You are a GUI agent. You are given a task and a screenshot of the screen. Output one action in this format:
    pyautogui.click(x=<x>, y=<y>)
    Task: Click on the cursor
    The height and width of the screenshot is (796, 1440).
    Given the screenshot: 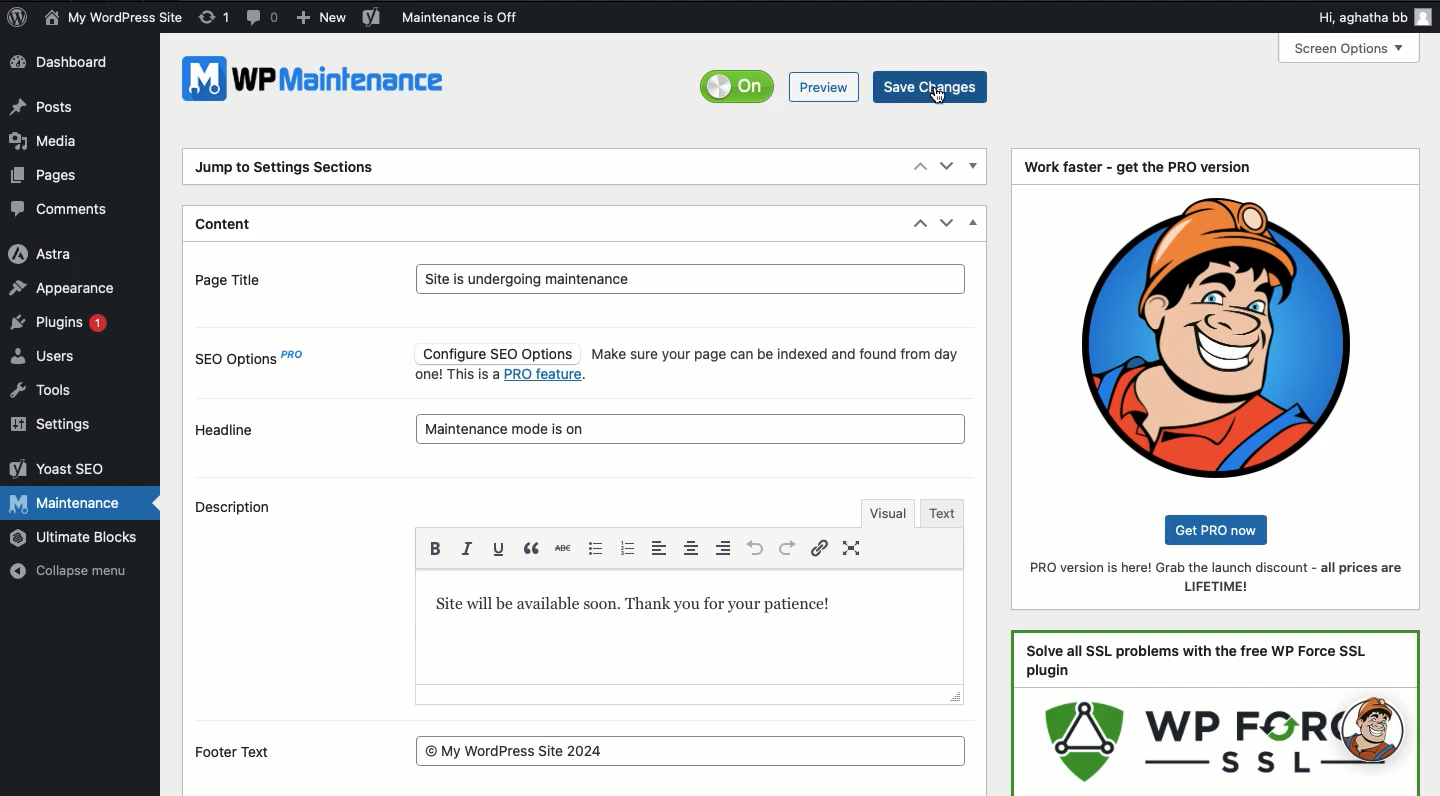 What is the action you would take?
    pyautogui.click(x=939, y=96)
    